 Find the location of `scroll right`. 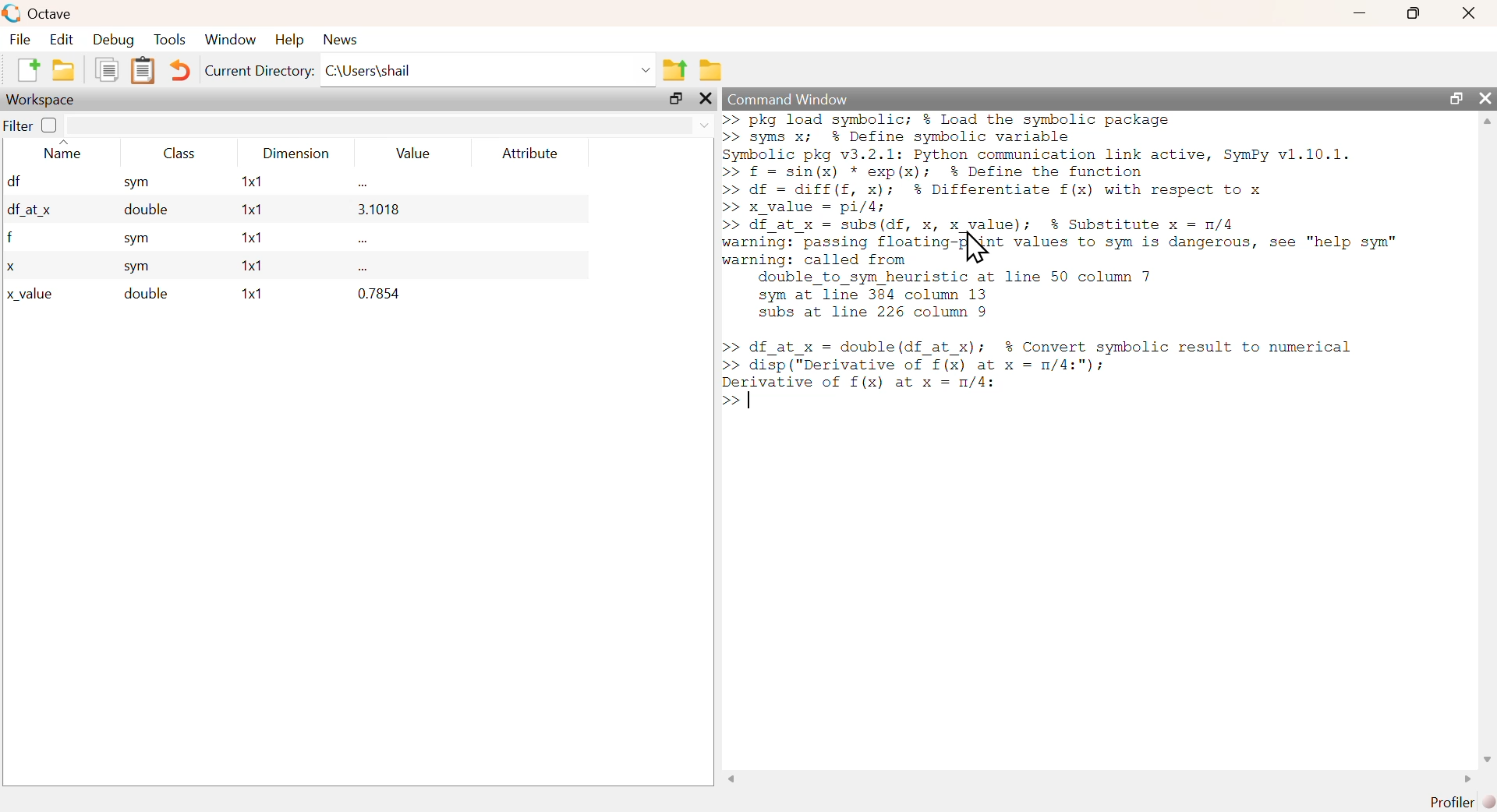

scroll right is located at coordinates (1464, 780).